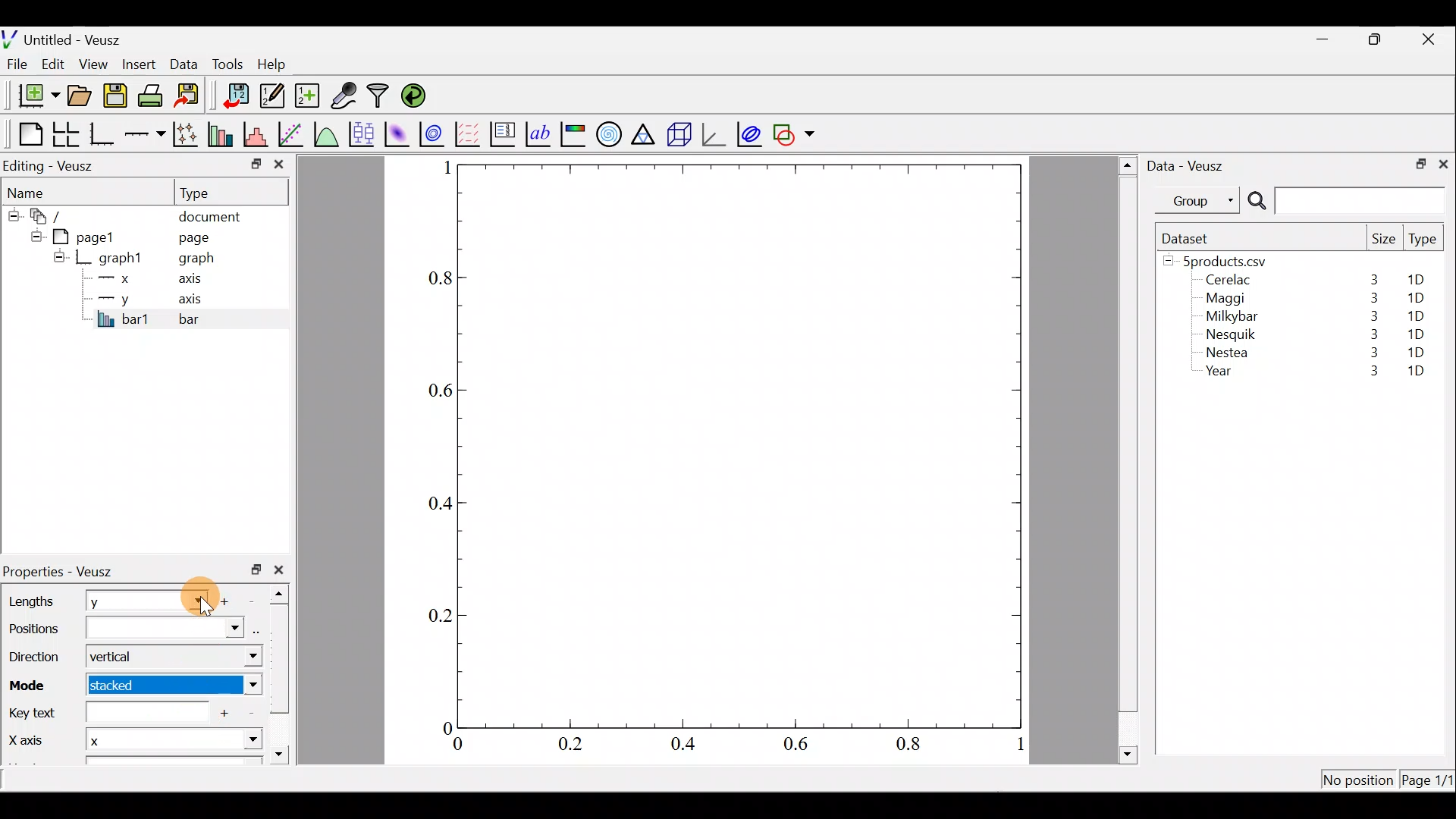  Describe the element at coordinates (1416, 162) in the screenshot. I see `restore down` at that location.